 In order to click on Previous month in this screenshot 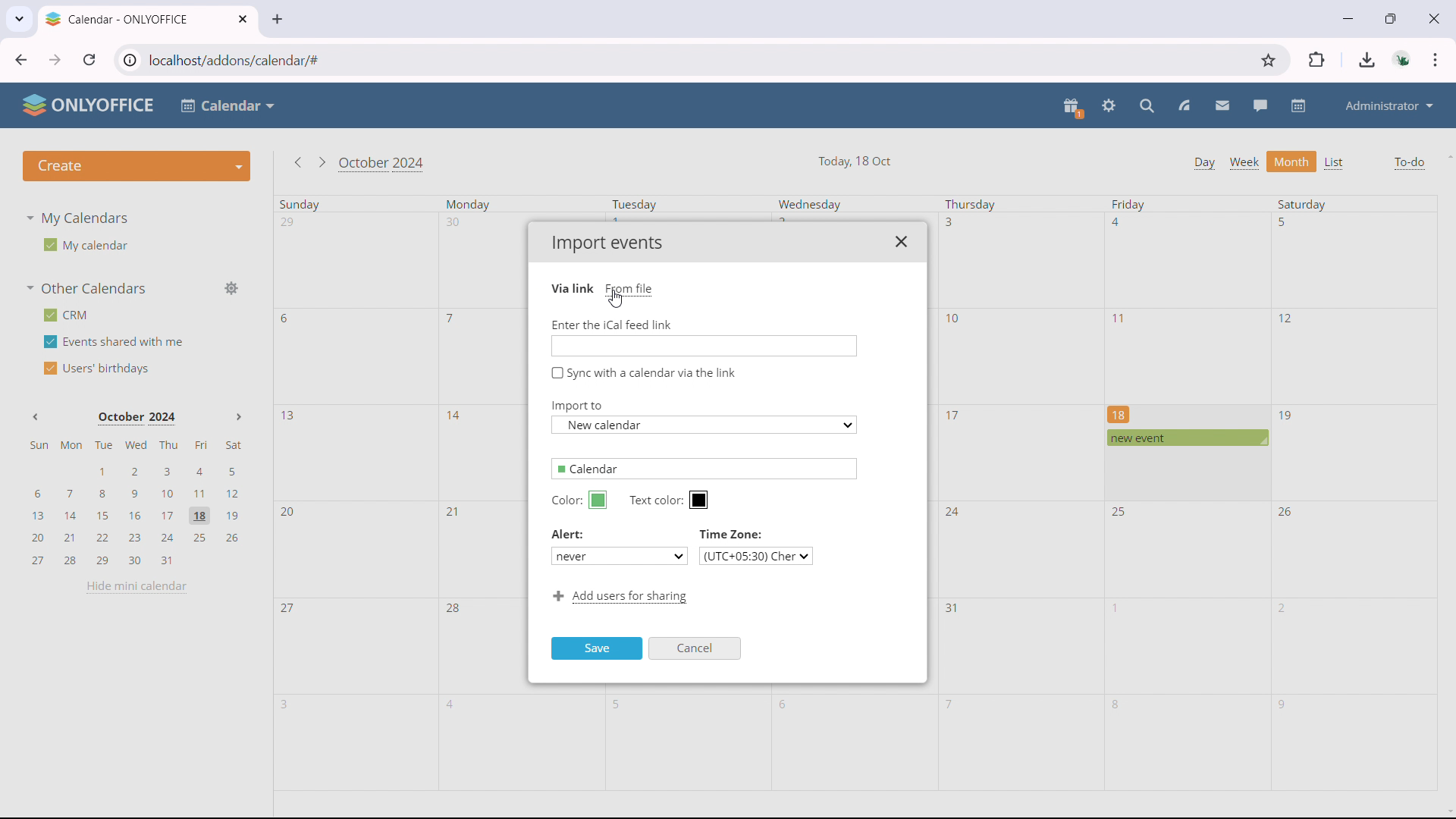, I will do `click(34, 418)`.